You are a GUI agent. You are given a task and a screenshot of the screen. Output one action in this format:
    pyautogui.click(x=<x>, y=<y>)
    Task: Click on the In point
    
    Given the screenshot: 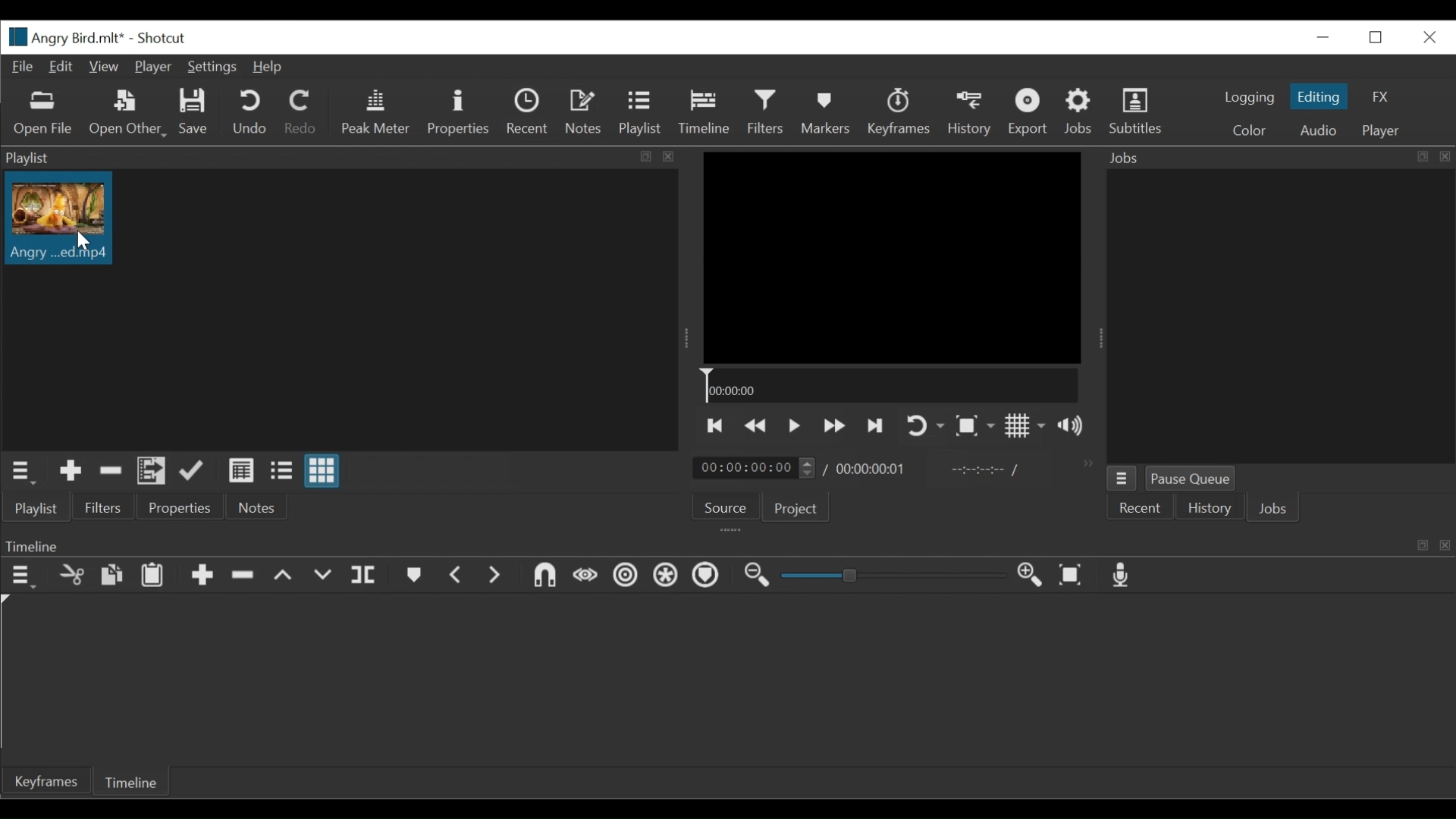 What is the action you would take?
    pyautogui.click(x=977, y=471)
    